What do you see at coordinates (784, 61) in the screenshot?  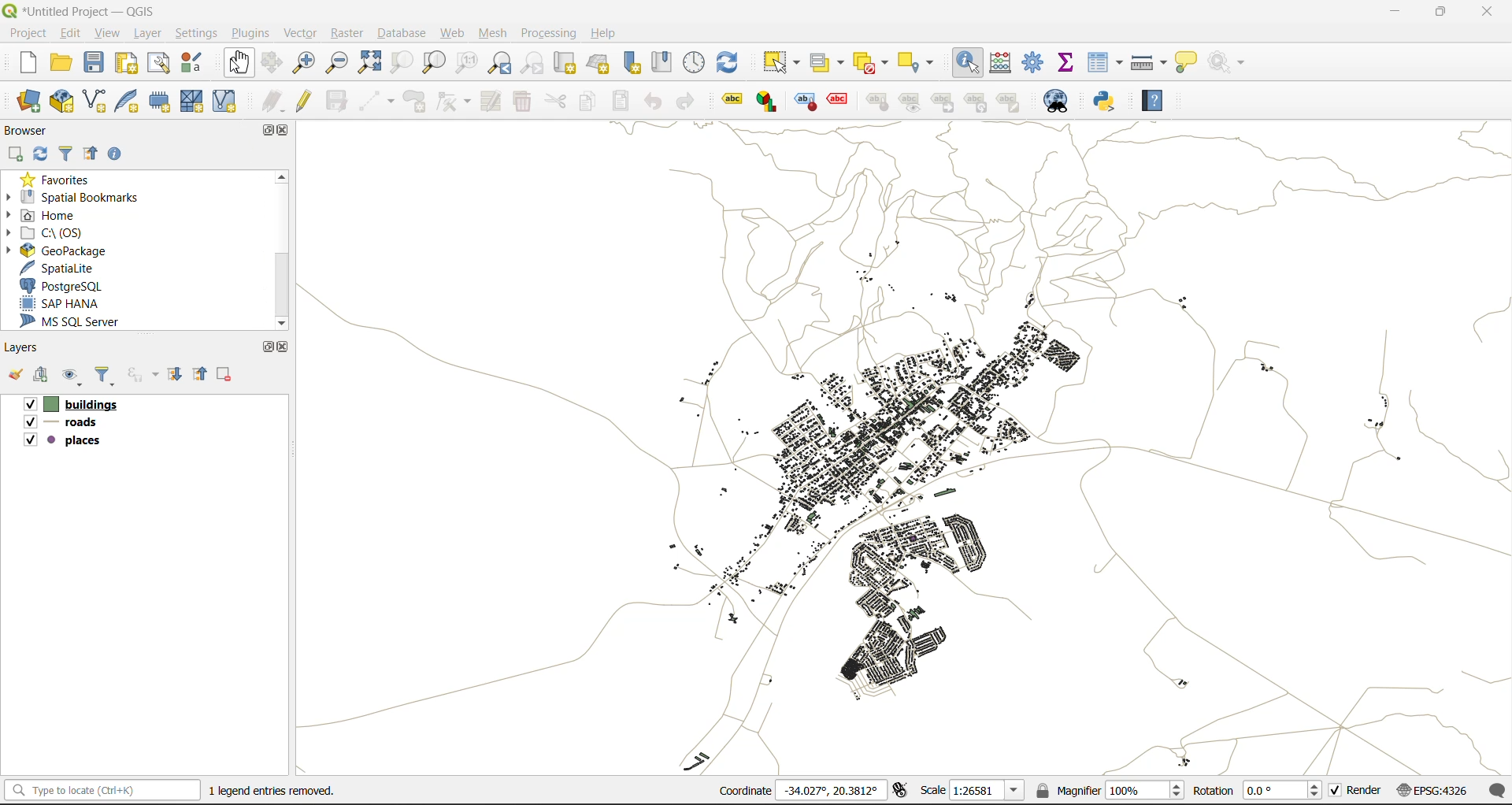 I see `select` at bounding box center [784, 61].